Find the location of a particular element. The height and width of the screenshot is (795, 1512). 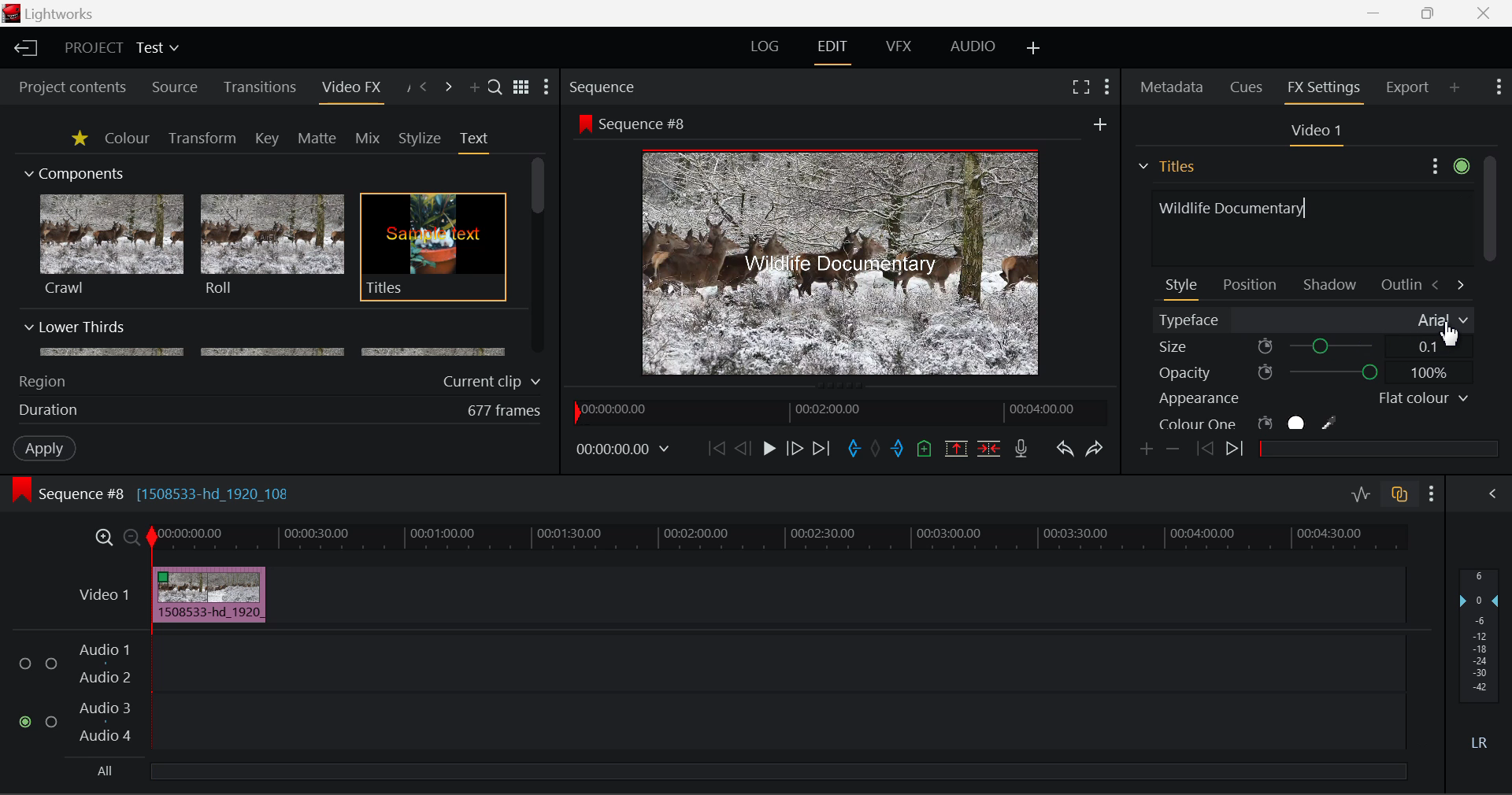

Delete/Cut is located at coordinates (991, 448).